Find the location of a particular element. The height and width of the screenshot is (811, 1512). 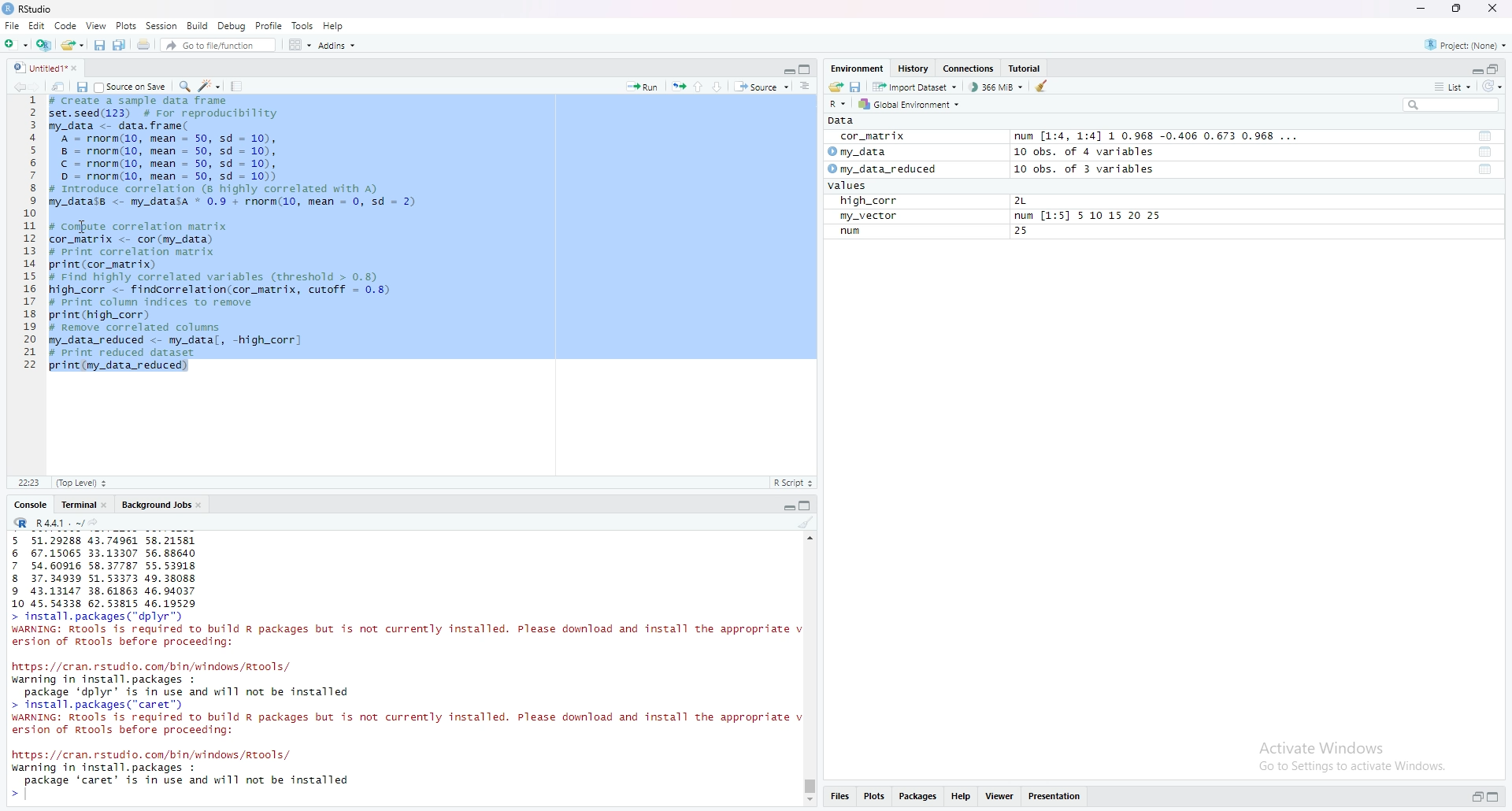

share is located at coordinates (144, 43).